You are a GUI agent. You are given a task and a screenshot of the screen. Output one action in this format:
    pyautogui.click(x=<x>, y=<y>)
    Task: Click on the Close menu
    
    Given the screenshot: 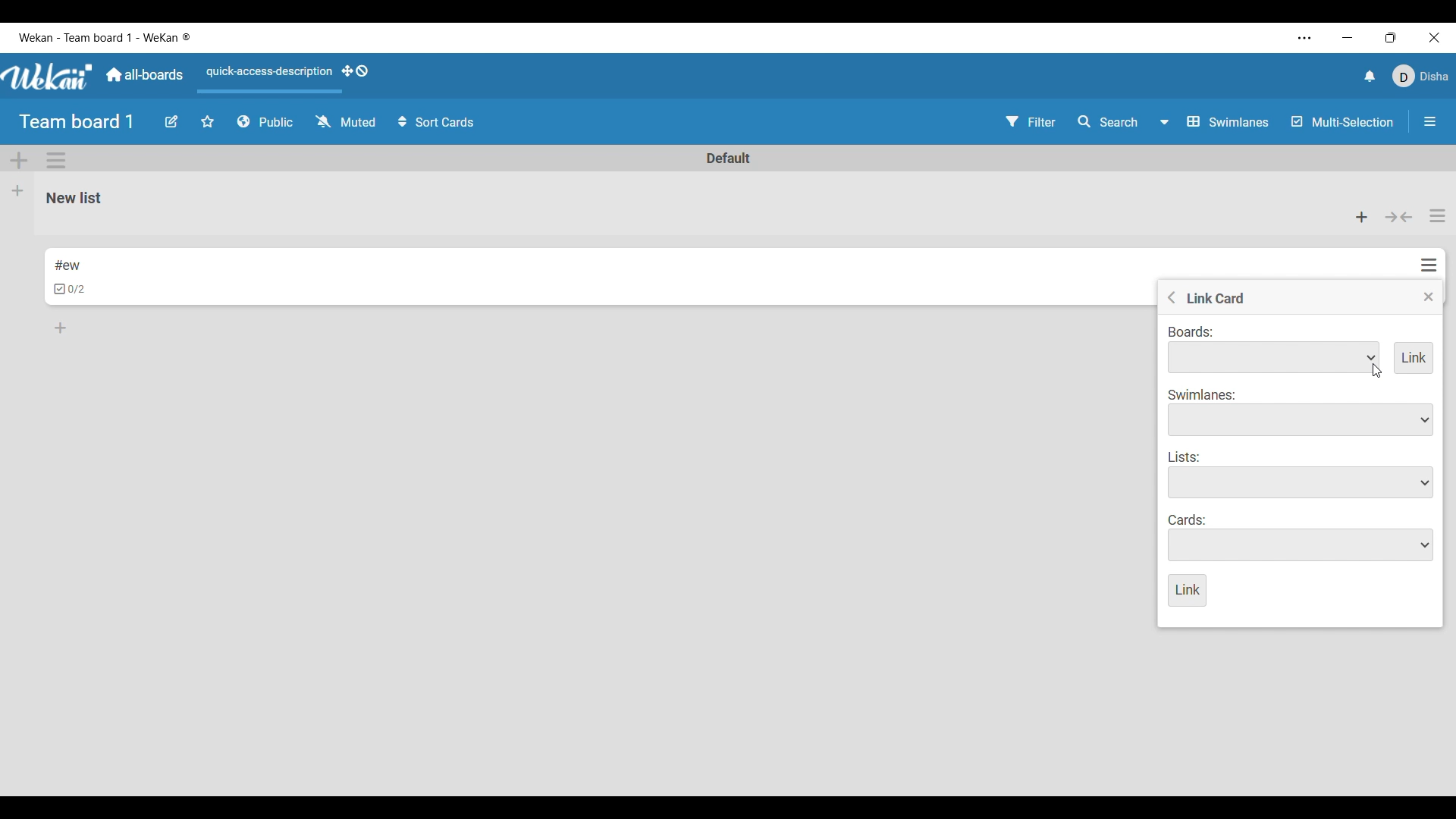 What is the action you would take?
    pyautogui.click(x=1429, y=297)
    